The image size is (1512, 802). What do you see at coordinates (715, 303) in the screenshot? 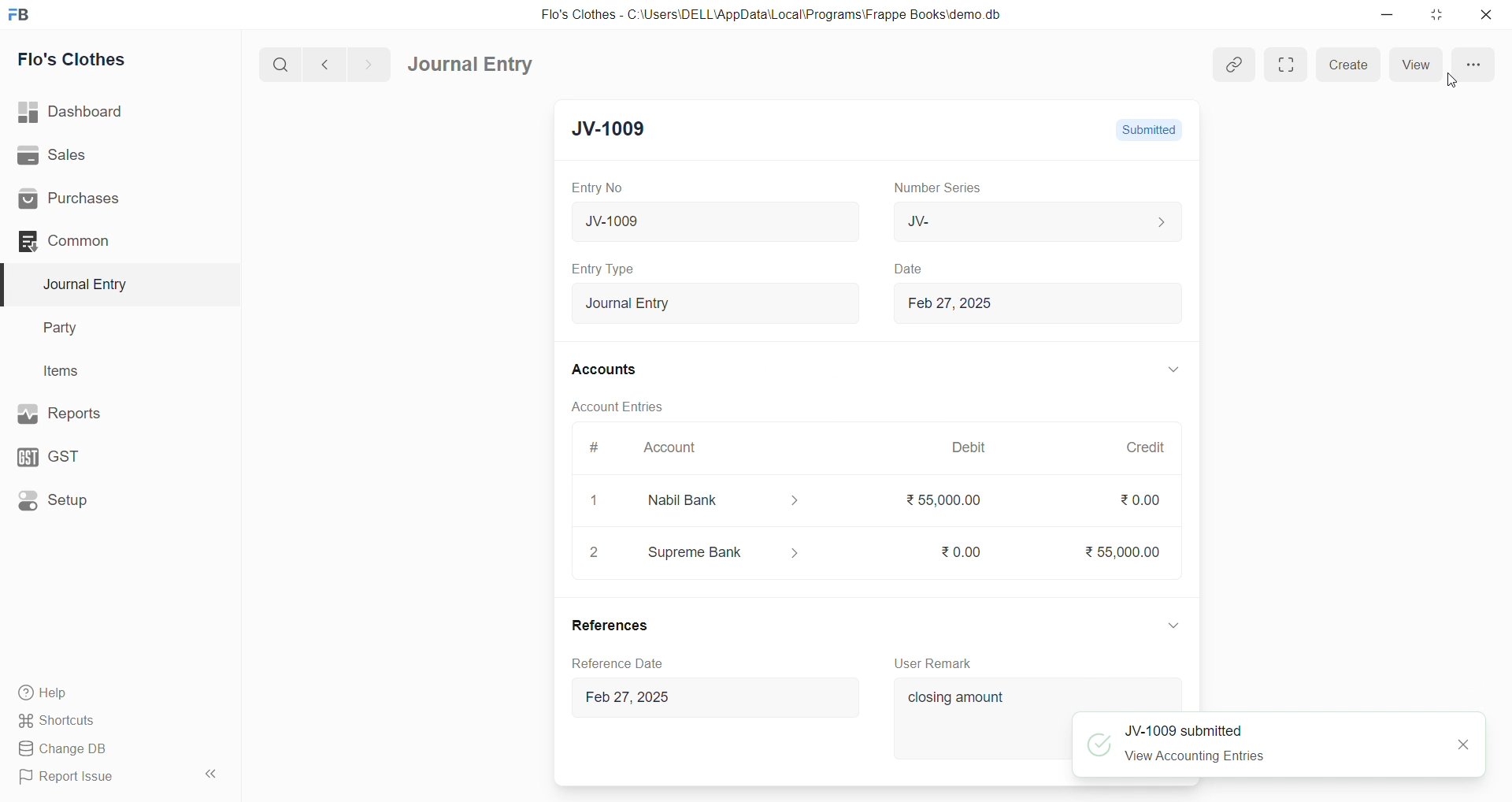
I see `Journal Entry` at bounding box center [715, 303].